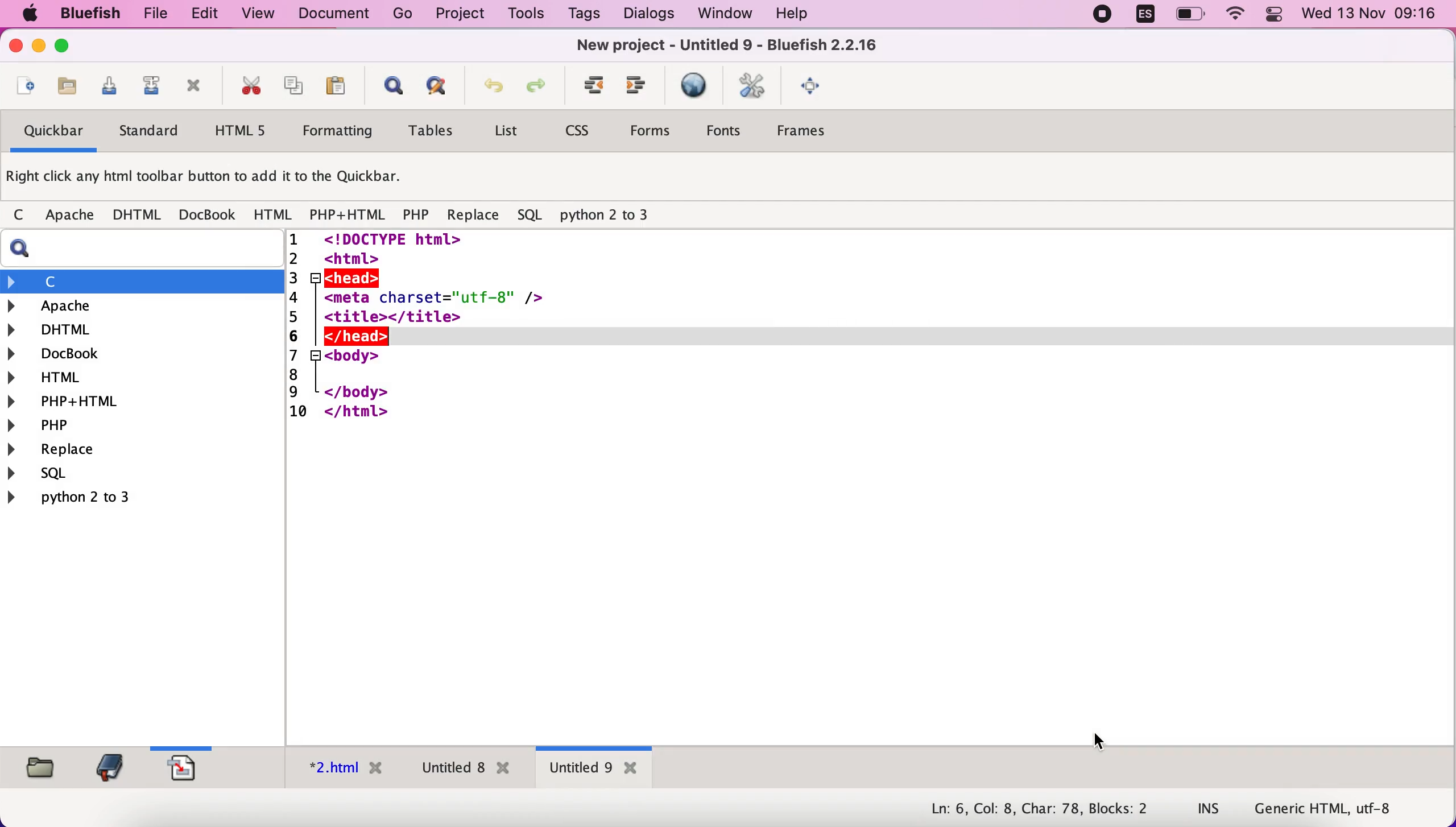 Image resolution: width=1456 pixels, height=827 pixels. What do you see at coordinates (13, 48) in the screenshot?
I see `close` at bounding box center [13, 48].